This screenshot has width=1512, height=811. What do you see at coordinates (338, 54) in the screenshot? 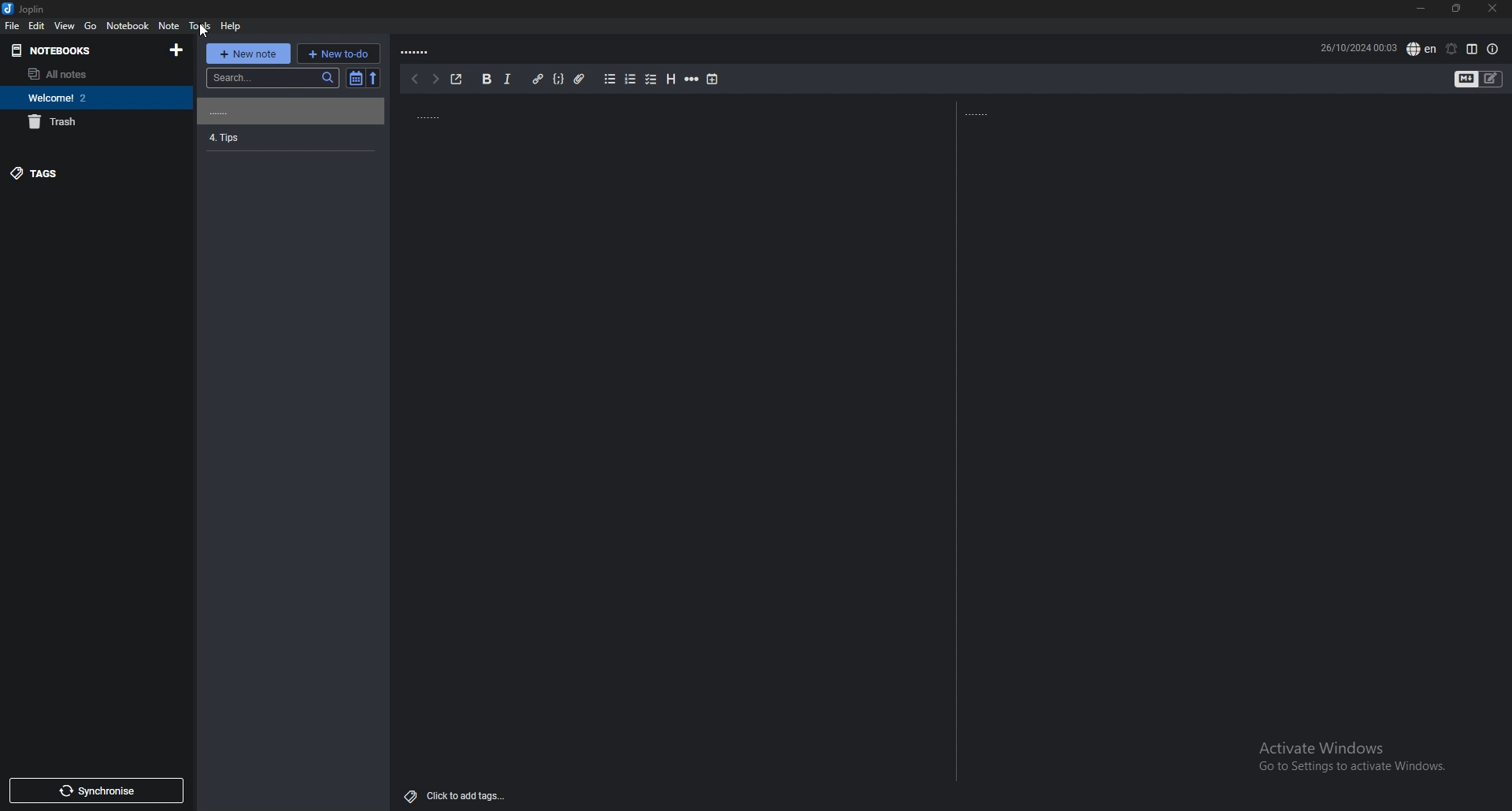
I see `new todo` at bounding box center [338, 54].